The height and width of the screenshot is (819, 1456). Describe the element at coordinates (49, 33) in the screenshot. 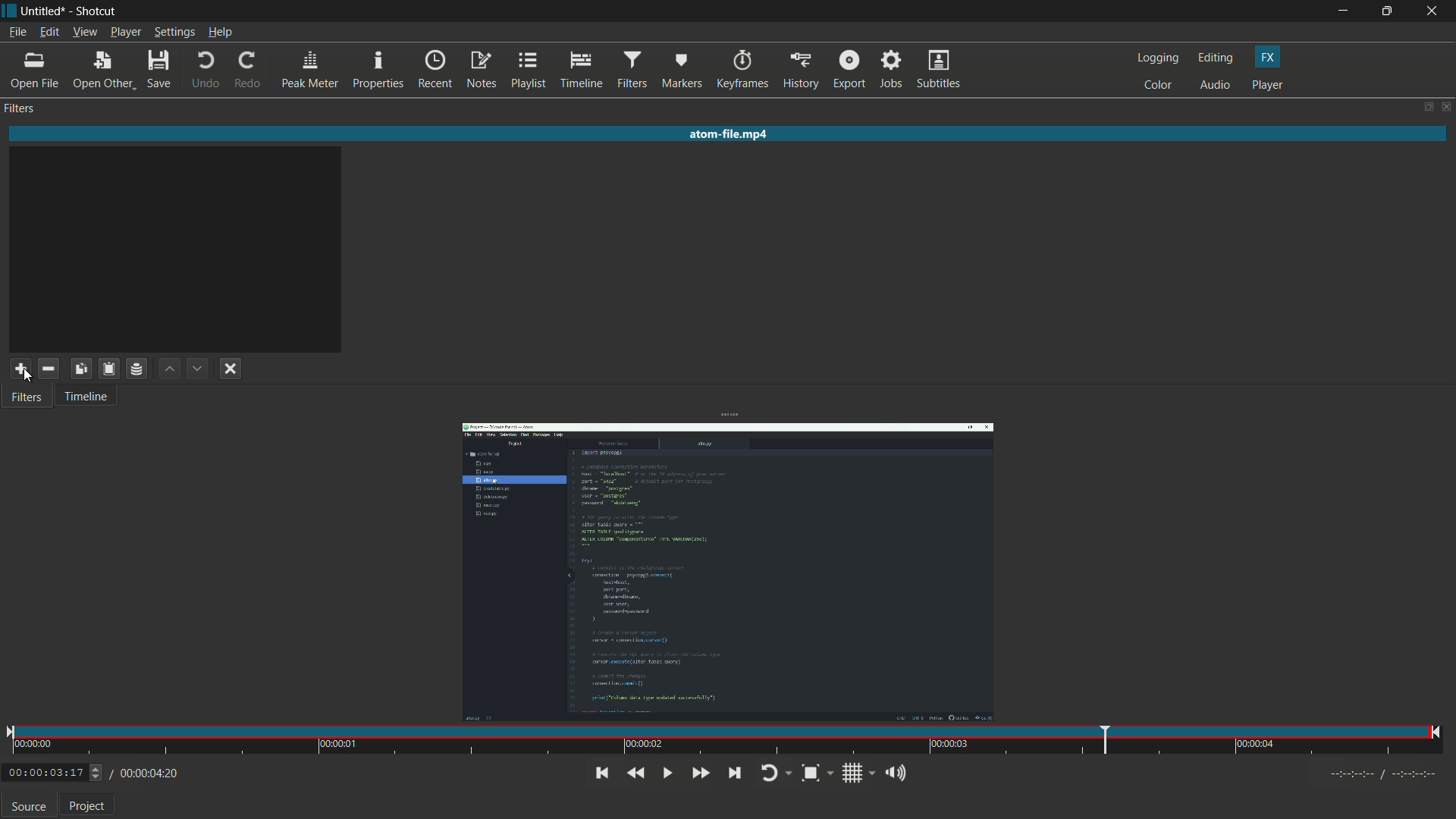

I see `edit menu` at that location.